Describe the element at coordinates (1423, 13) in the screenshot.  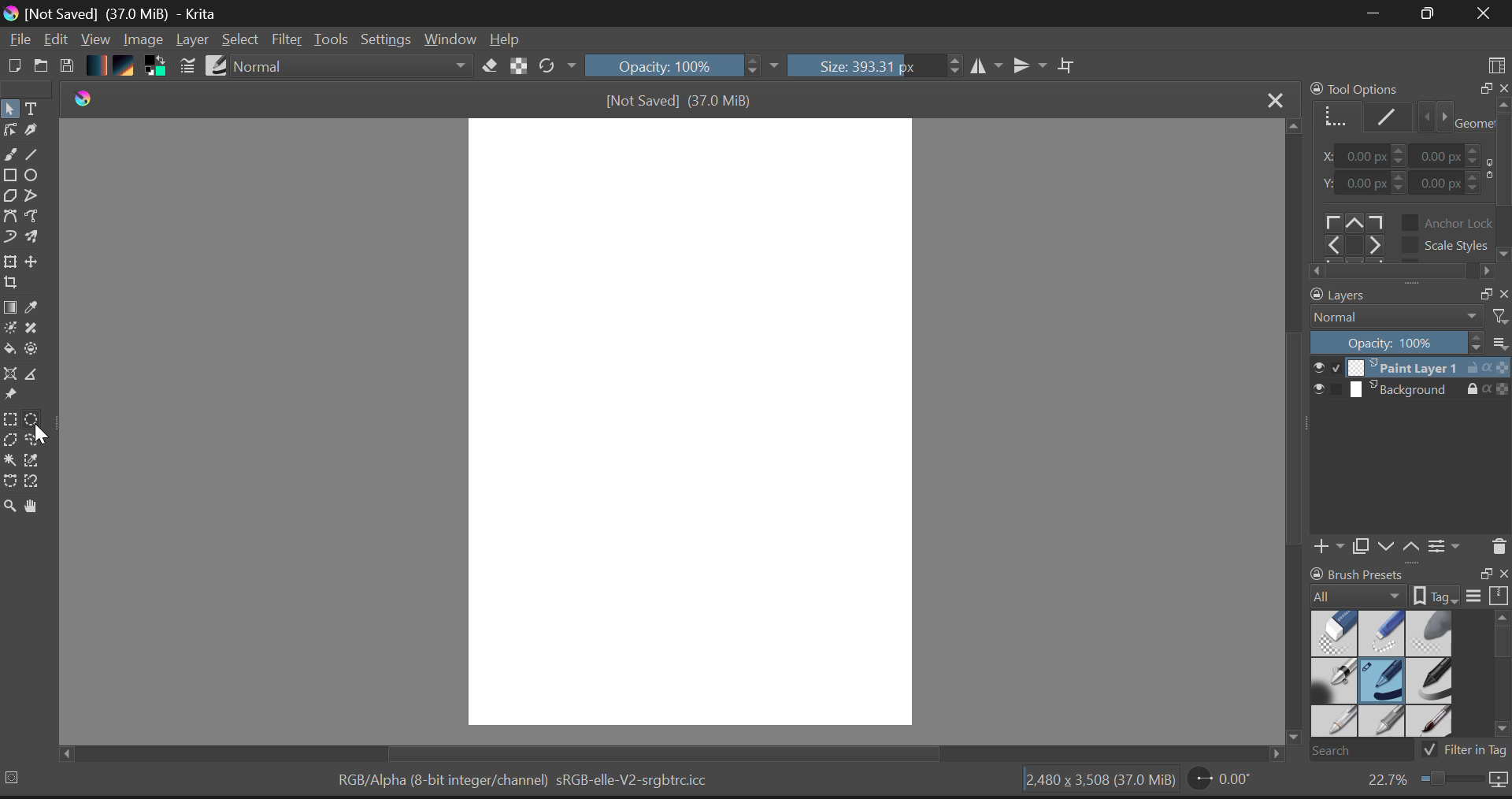
I see `Minimize` at that location.